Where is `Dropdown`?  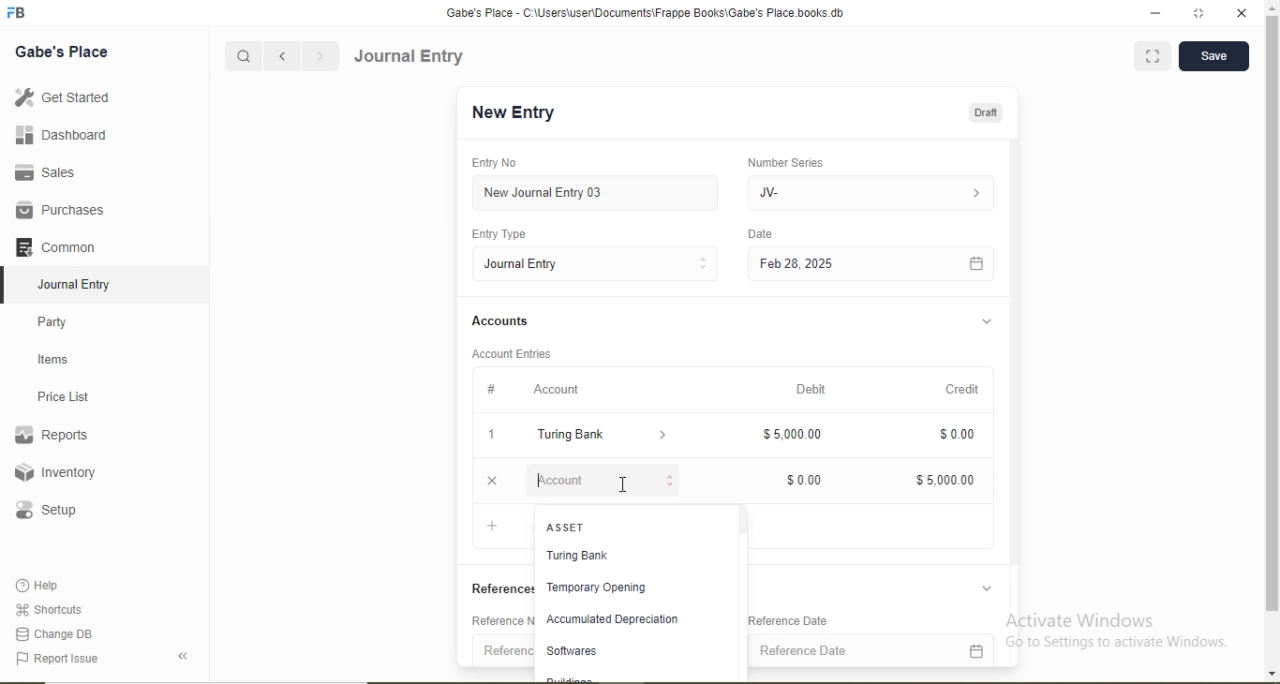
Dropdown is located at coordinates (984, 588).